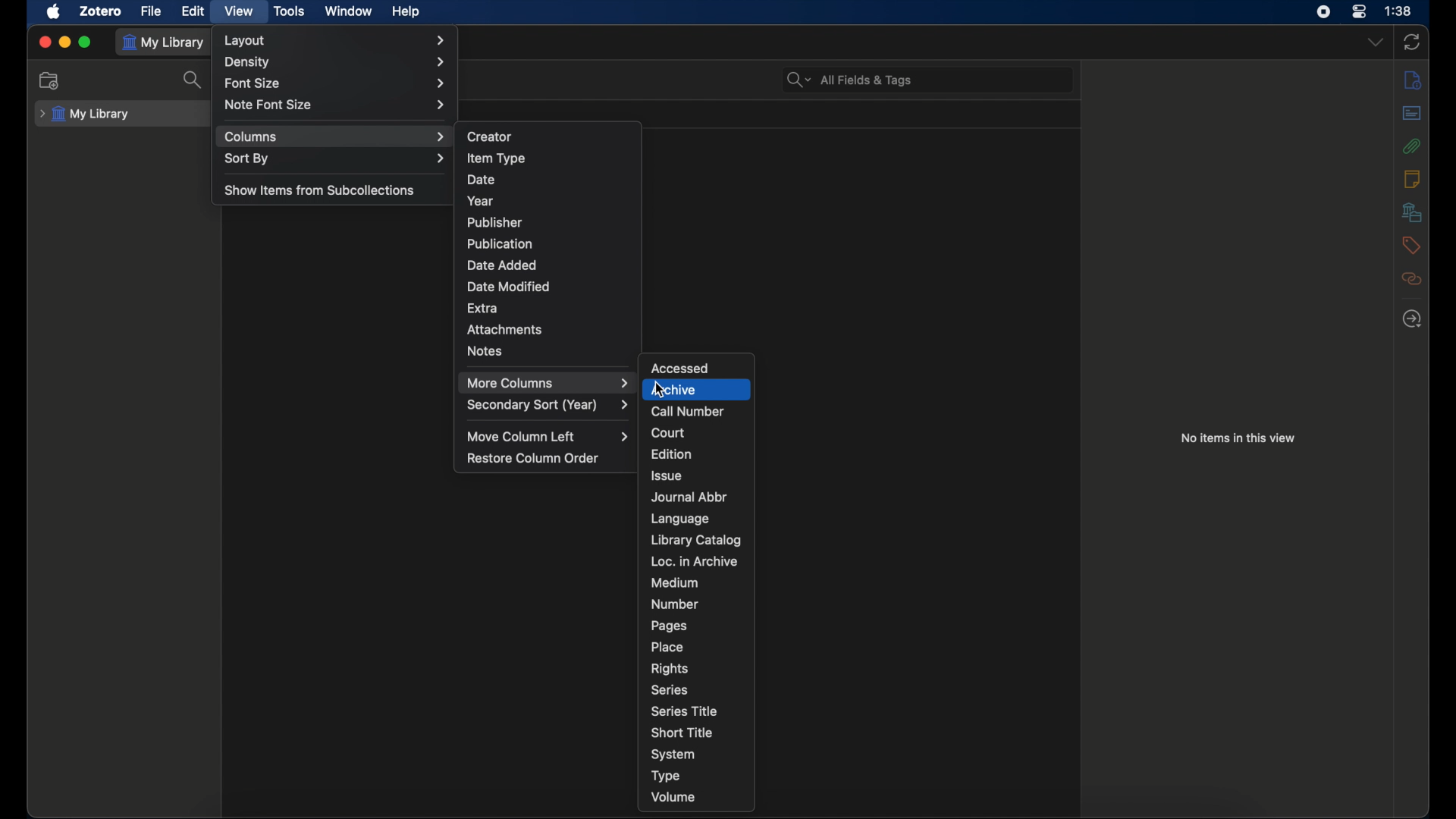  Describe the element at coordinates (667, 646) in the screenshot. I see `place` at that location.